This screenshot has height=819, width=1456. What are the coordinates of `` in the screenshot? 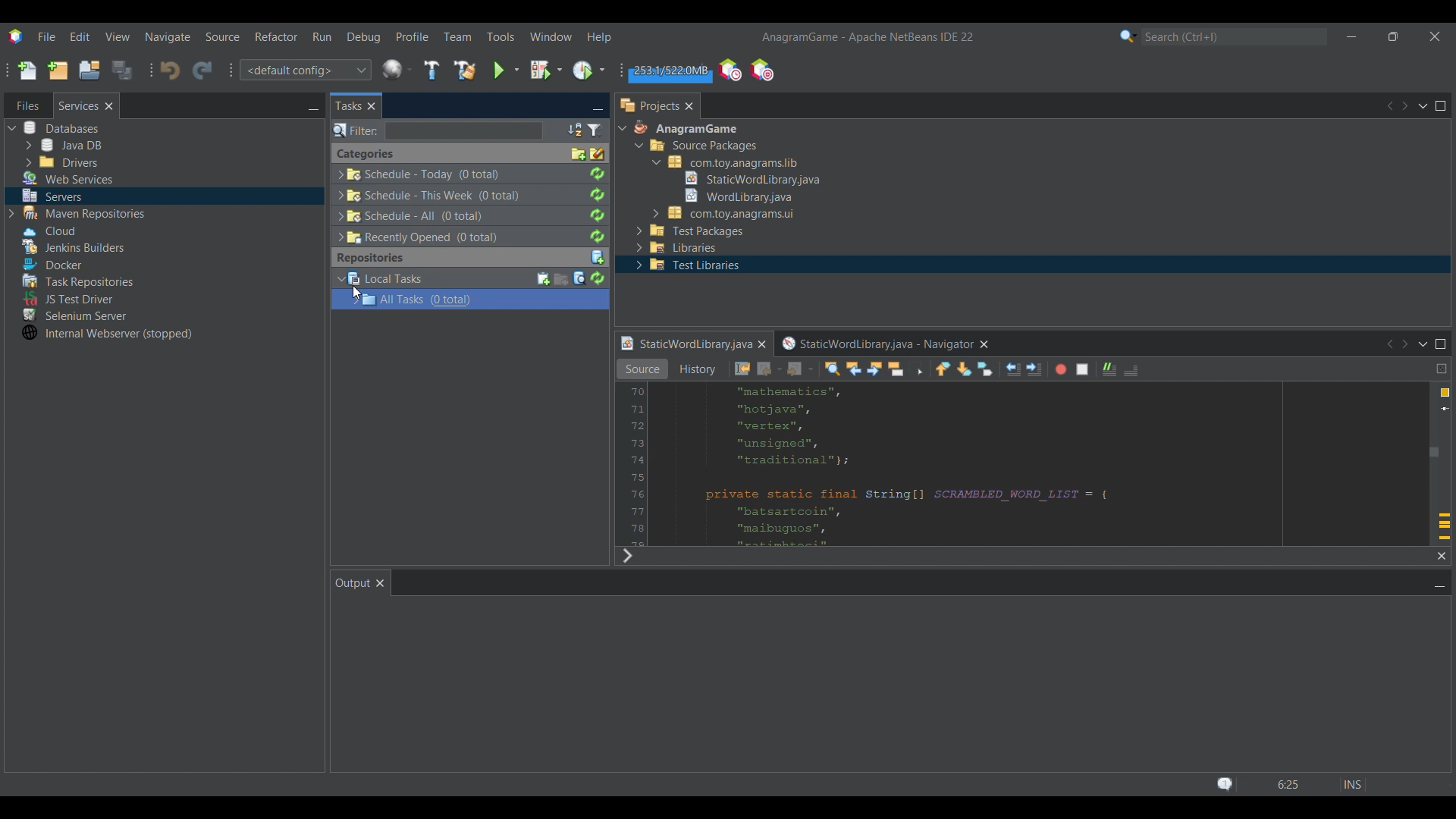 It's located at (463, 151).